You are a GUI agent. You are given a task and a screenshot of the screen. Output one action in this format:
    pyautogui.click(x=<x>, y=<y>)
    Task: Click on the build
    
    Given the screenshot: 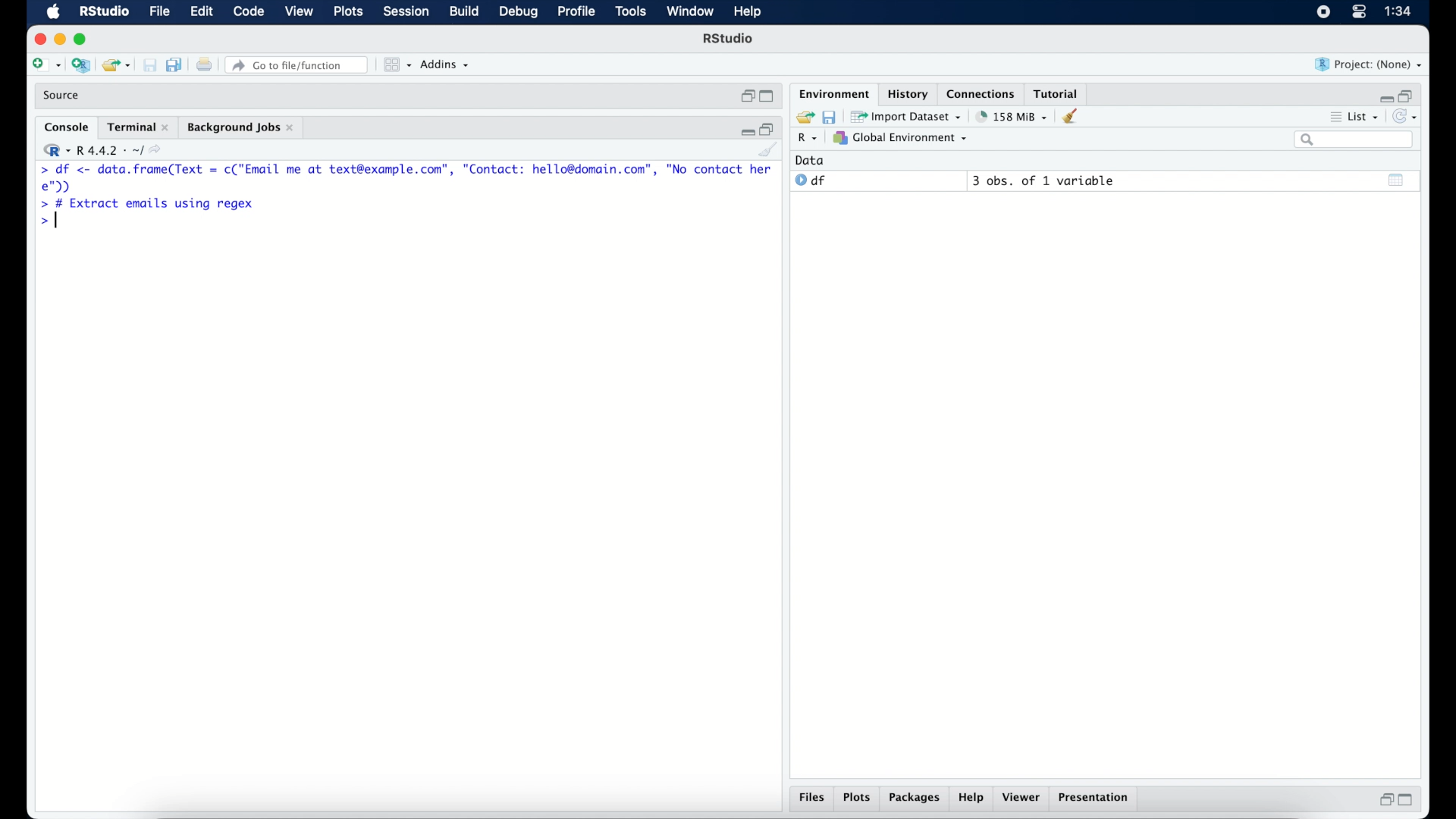 What is the action you would take?
    pyautogui.click(x=465, y=12)
    